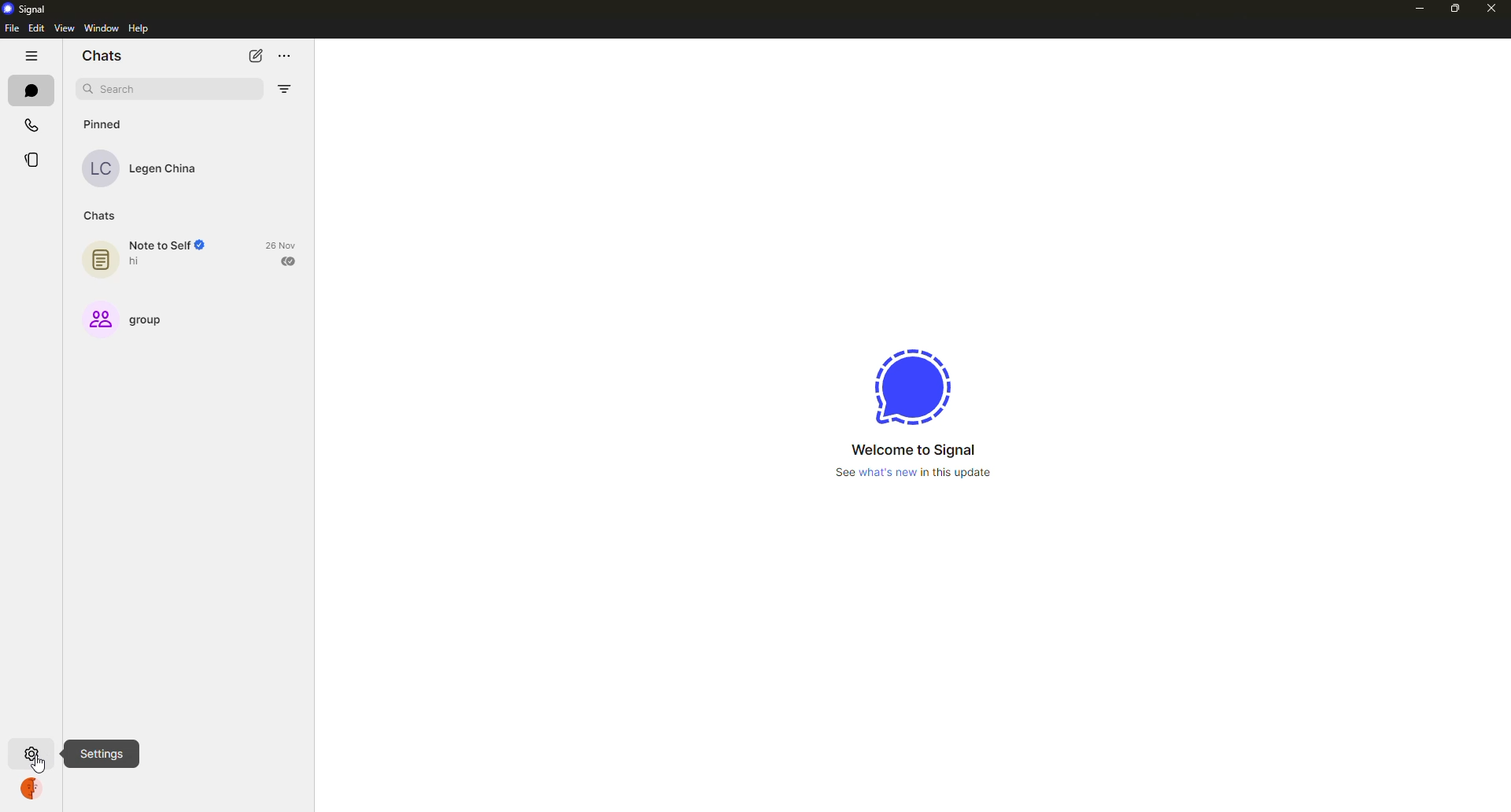 The width and height of the screenshot is (1511, 812). Describe the element at coordinates (172, 245) in the screenshot. I see `note to self` at that location.